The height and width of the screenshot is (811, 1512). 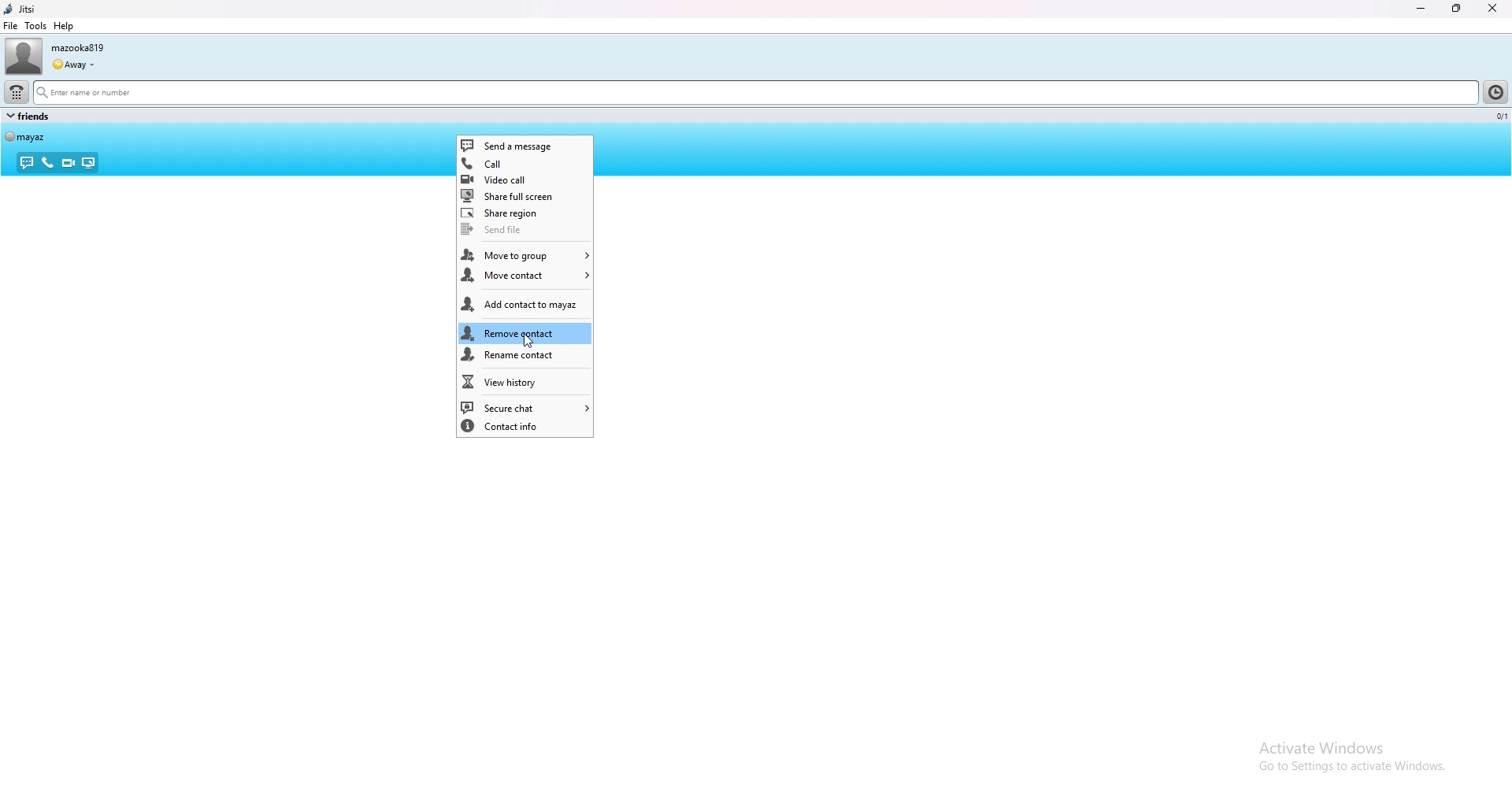 What do you see at coordinates (23, 57) in the screenshot?
I see `user photo` at bounding box center [23, 57].